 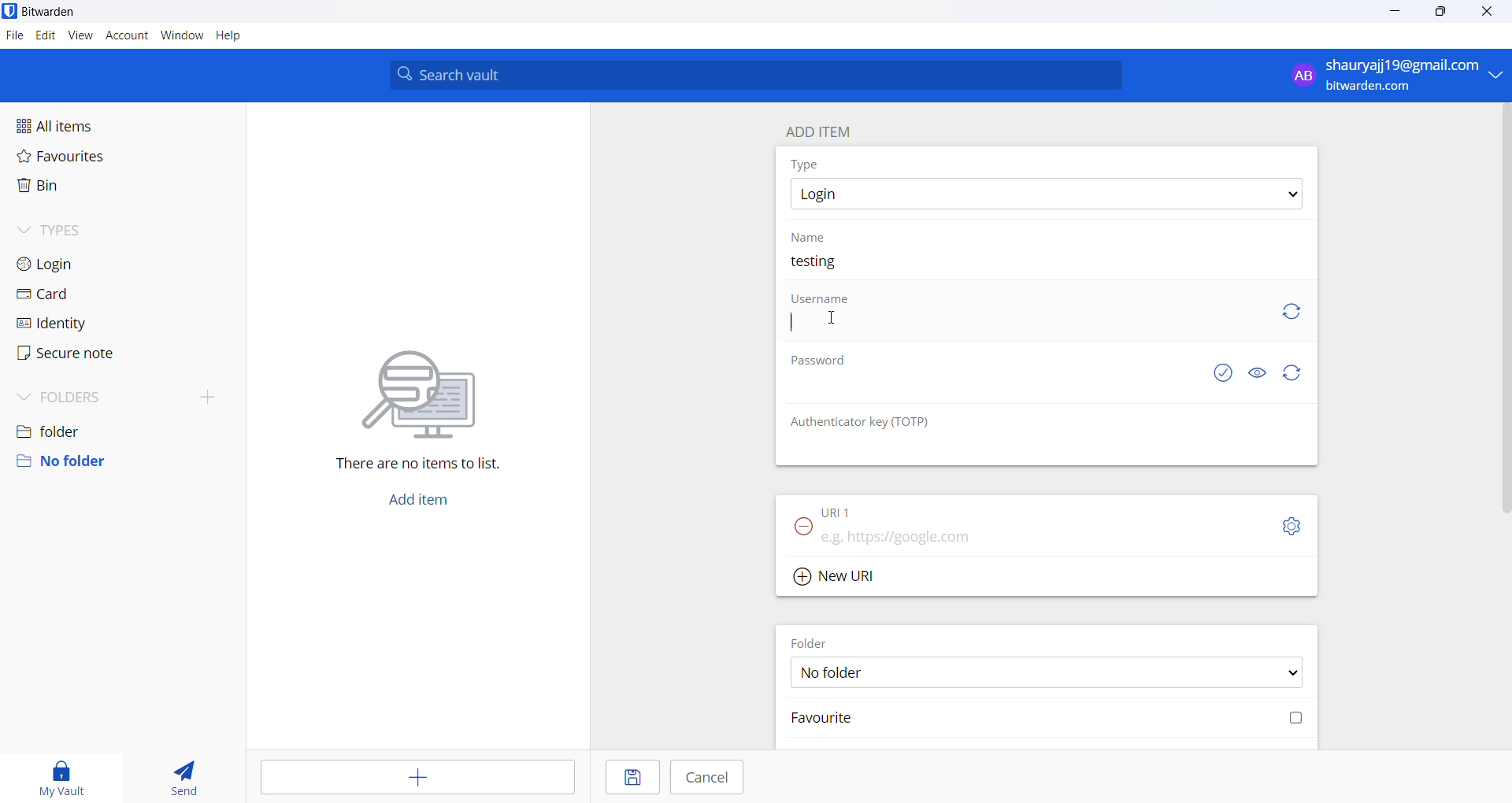 I want to click on file, so click(x=13, y=37).